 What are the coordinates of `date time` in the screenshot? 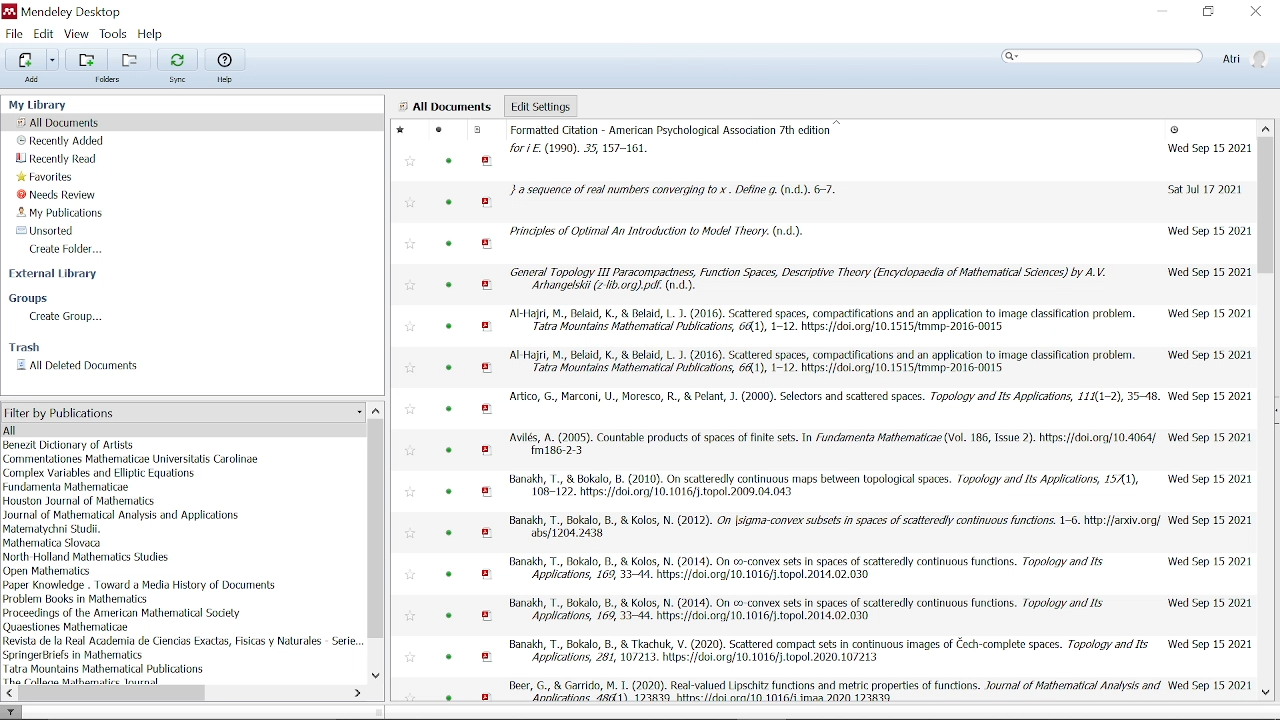 It's located at (1210, 436).